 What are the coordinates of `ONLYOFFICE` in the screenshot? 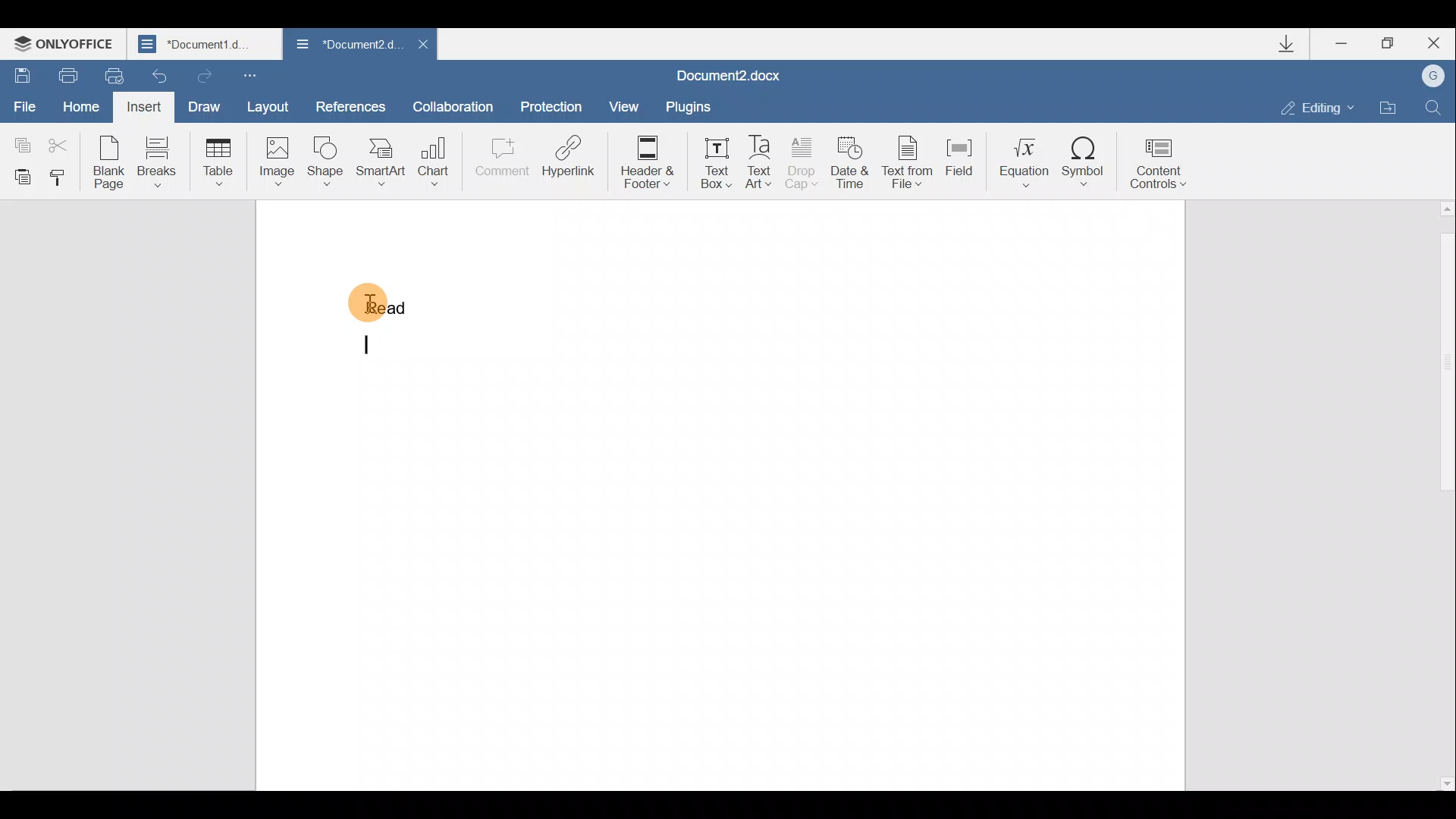 It's located at (67, 45).